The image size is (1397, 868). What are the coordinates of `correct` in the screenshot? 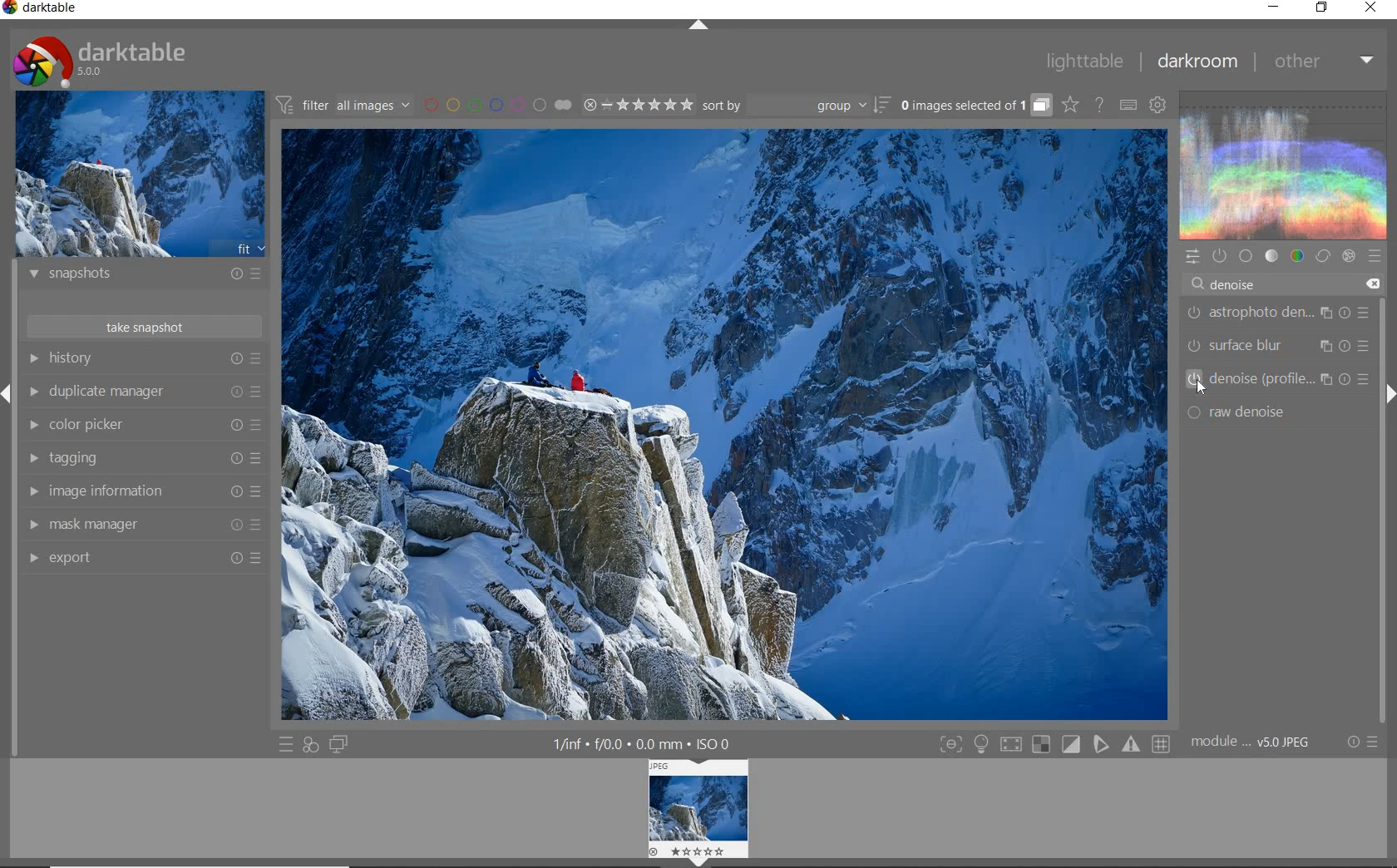 It's located at (1322, 255).